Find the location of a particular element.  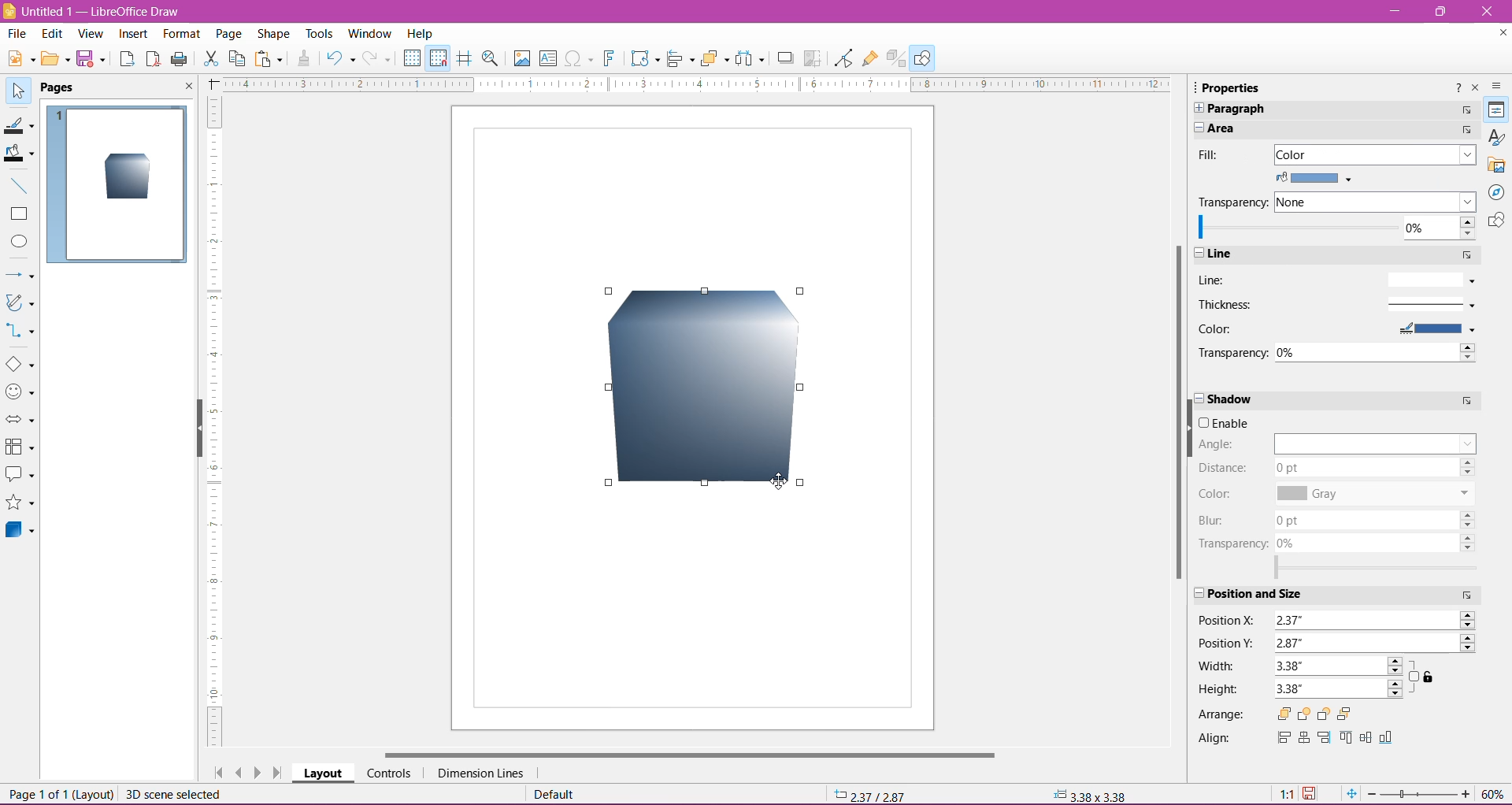

Layout is located at coordinates (323, 773).